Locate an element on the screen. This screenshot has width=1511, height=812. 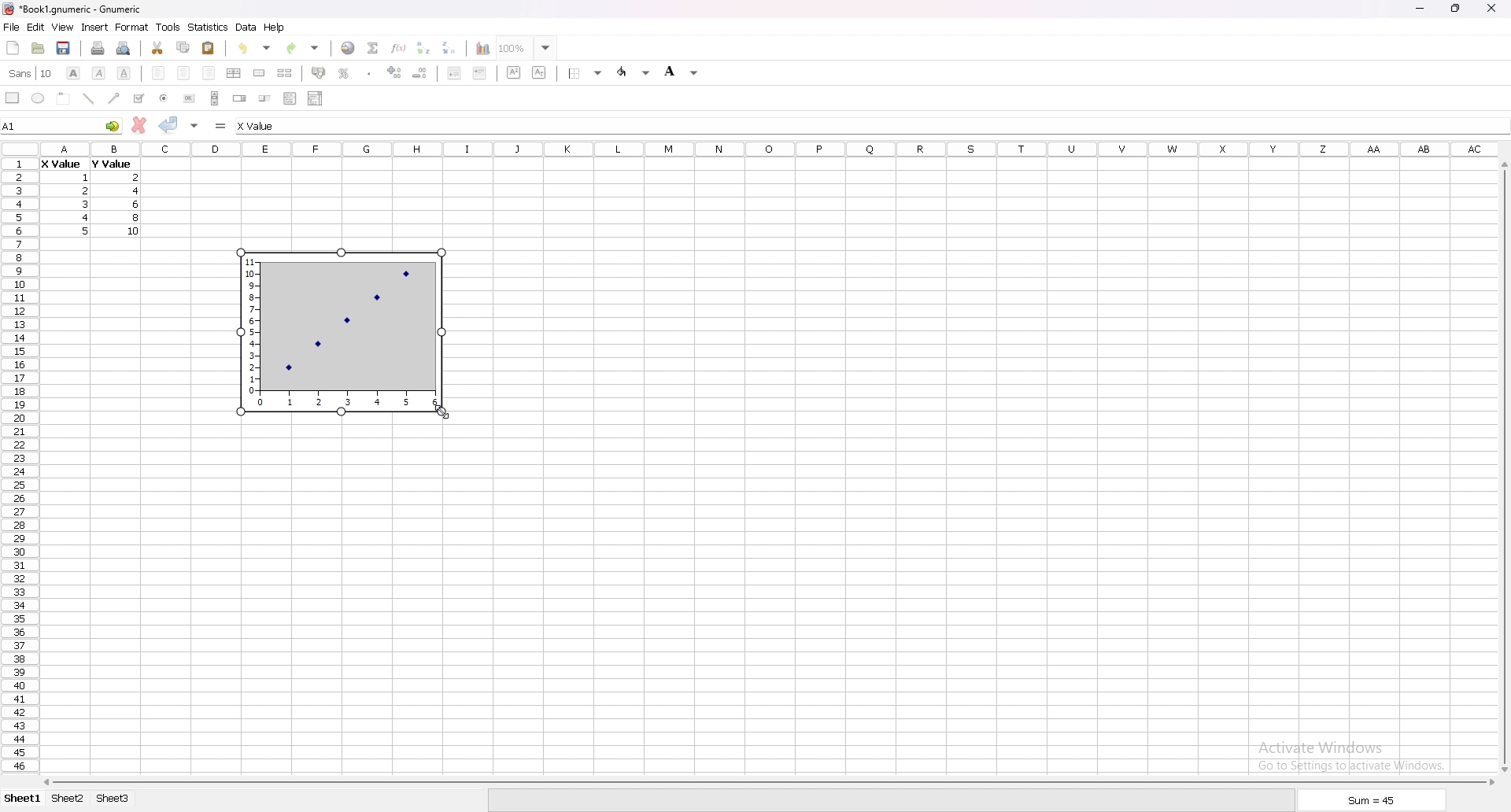
accounting is located at coordinates (320, 72).